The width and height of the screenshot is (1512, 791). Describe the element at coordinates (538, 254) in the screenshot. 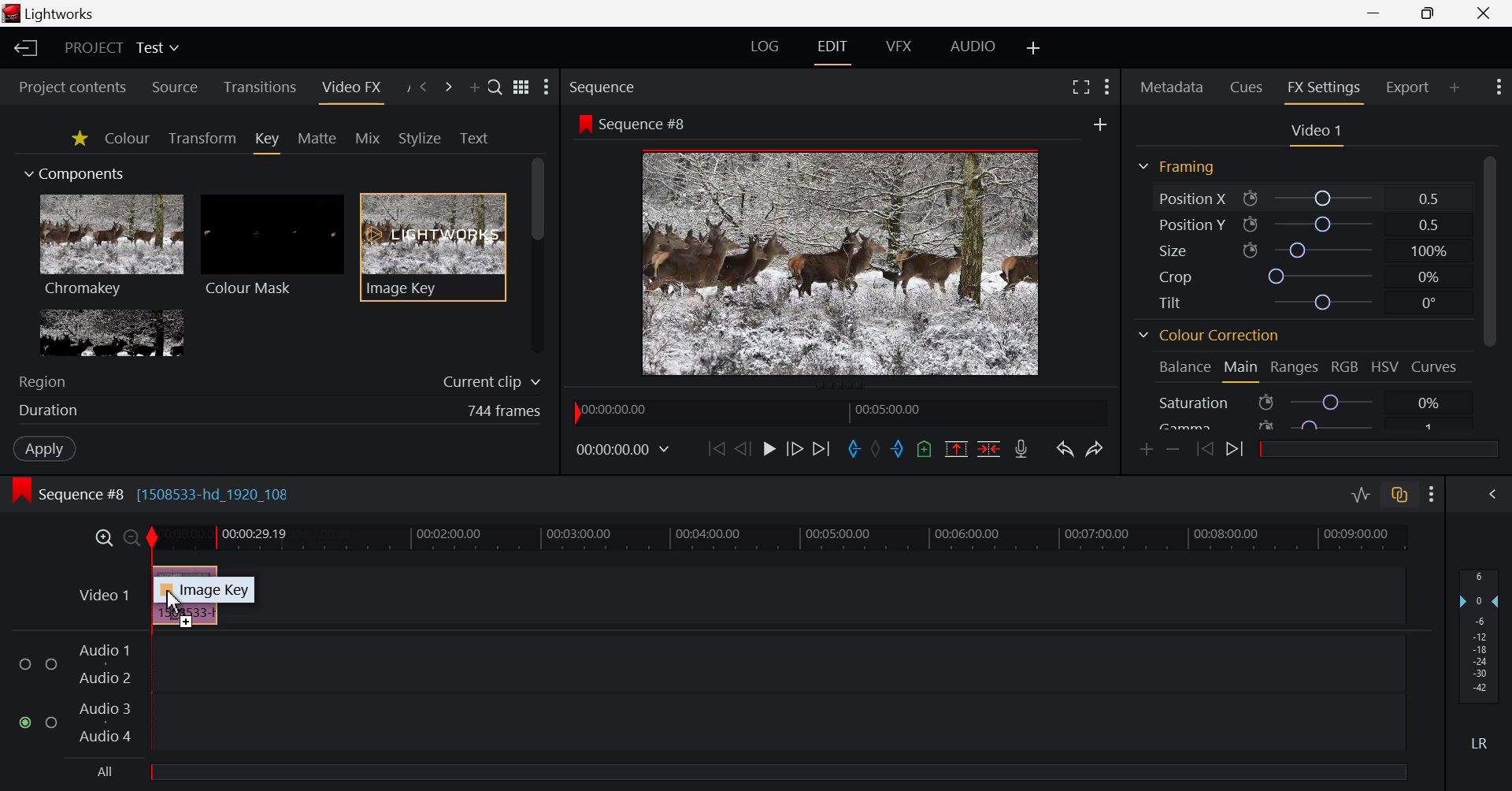

I see `Scroll Bar` at that location.